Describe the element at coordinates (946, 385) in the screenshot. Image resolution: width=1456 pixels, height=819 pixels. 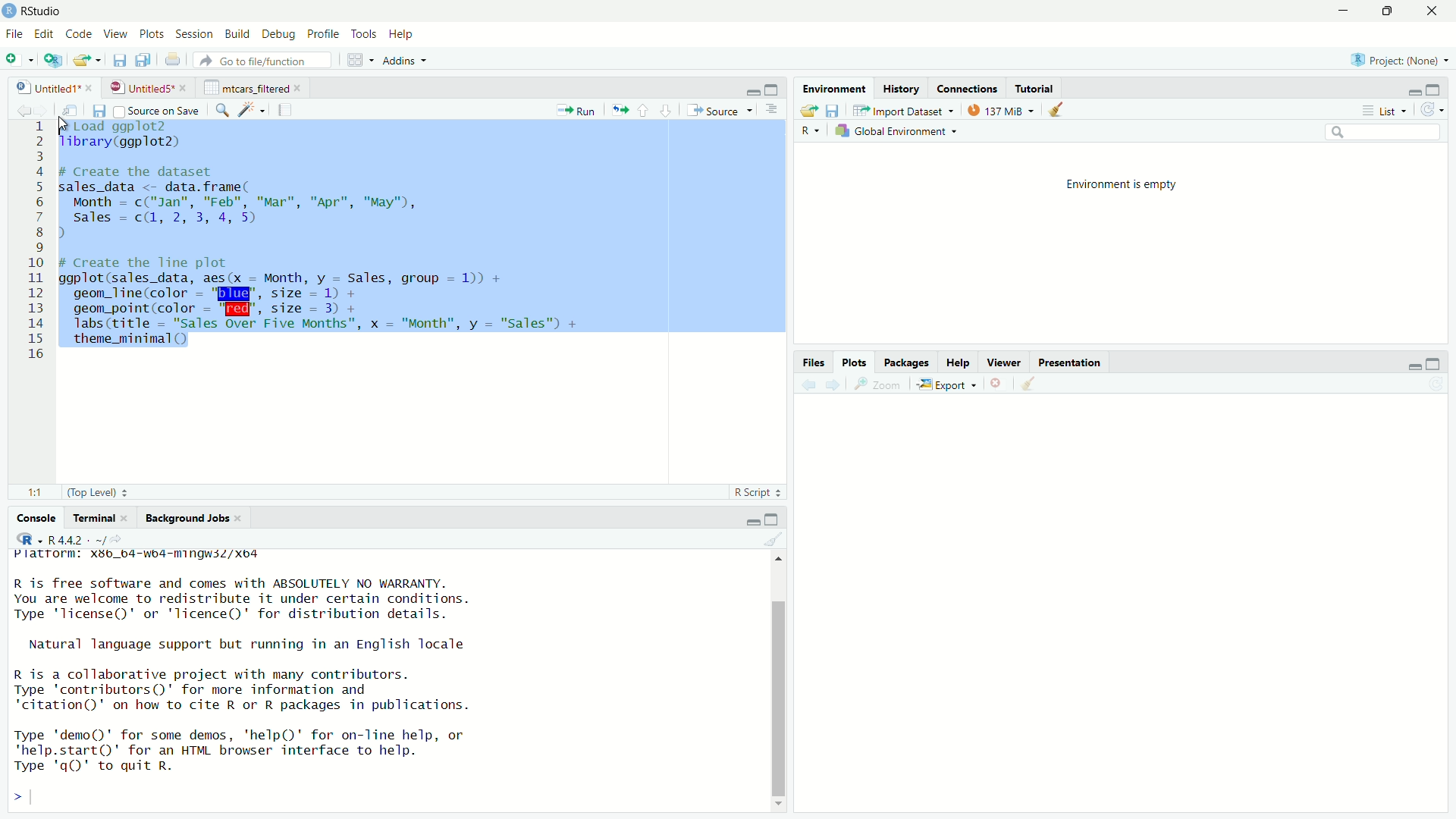
I see `Export` at that location.